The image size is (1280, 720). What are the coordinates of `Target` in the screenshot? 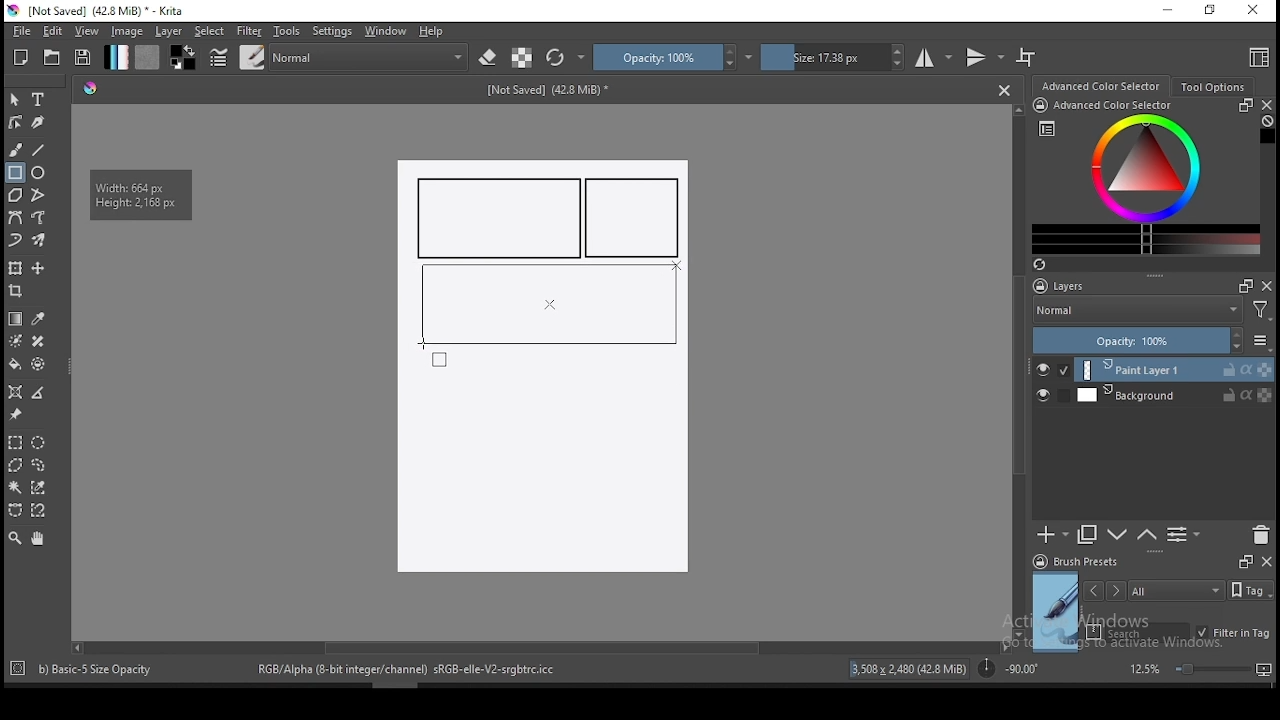 It's located at (19, 669).